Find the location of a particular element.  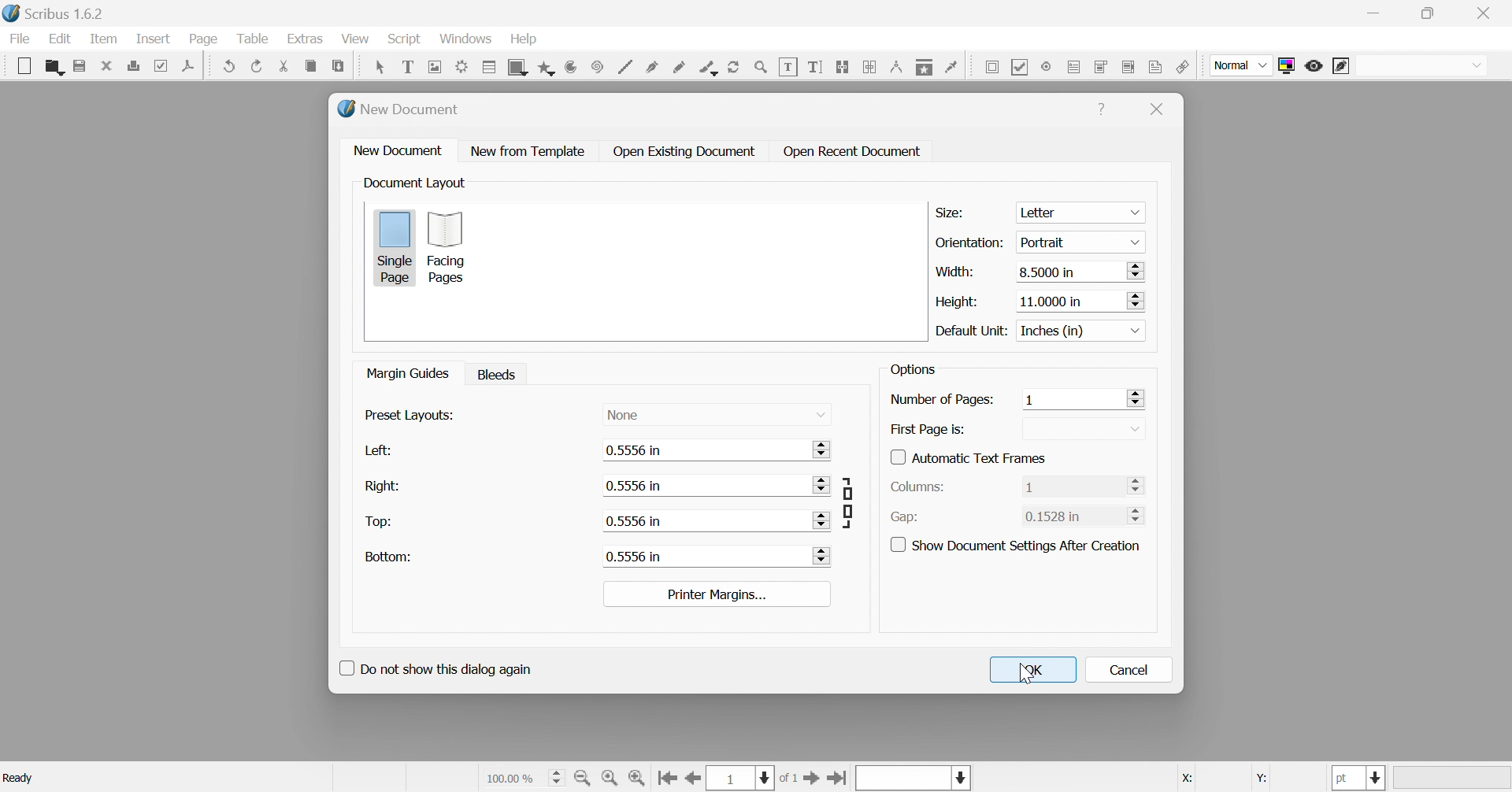

edit contents of frame is located at coordinates (790, 67).